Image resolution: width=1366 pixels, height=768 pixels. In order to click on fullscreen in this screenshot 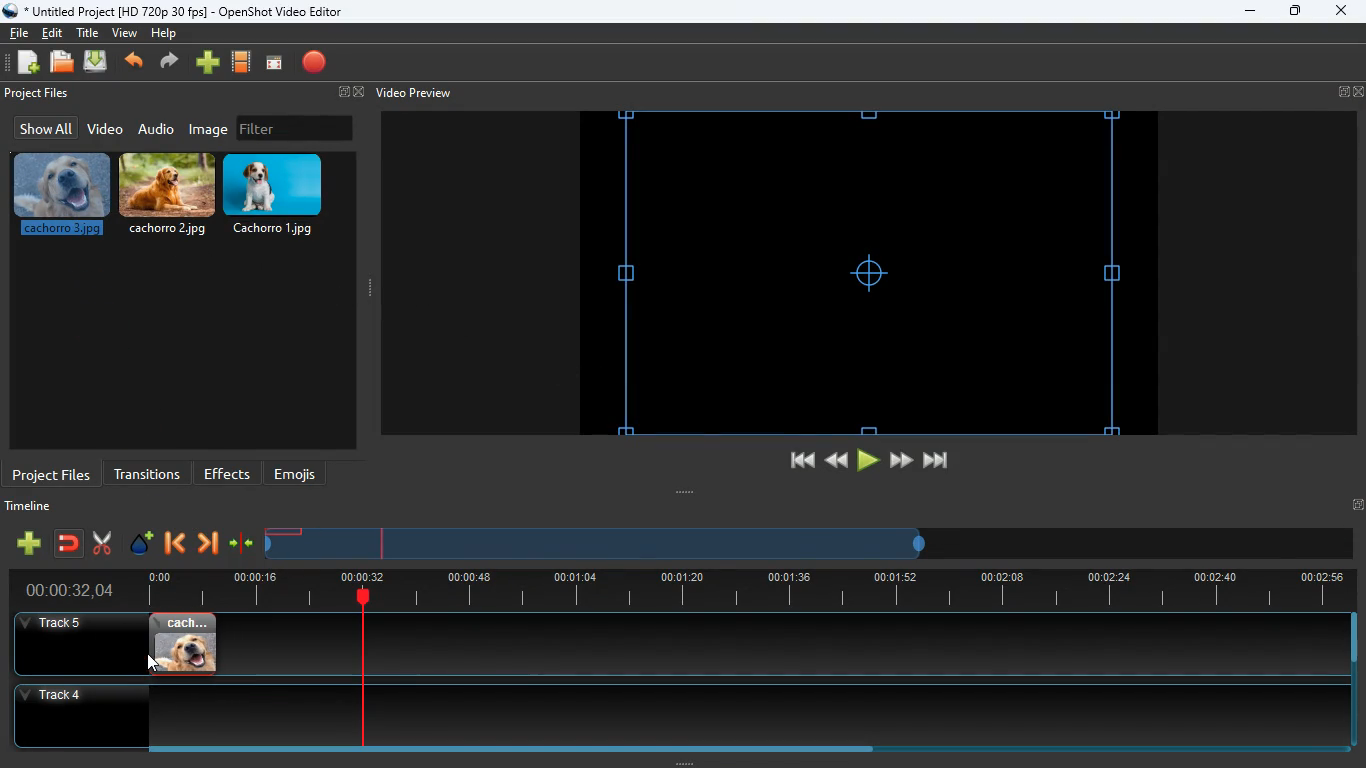, I will do `click(348, 93)`.